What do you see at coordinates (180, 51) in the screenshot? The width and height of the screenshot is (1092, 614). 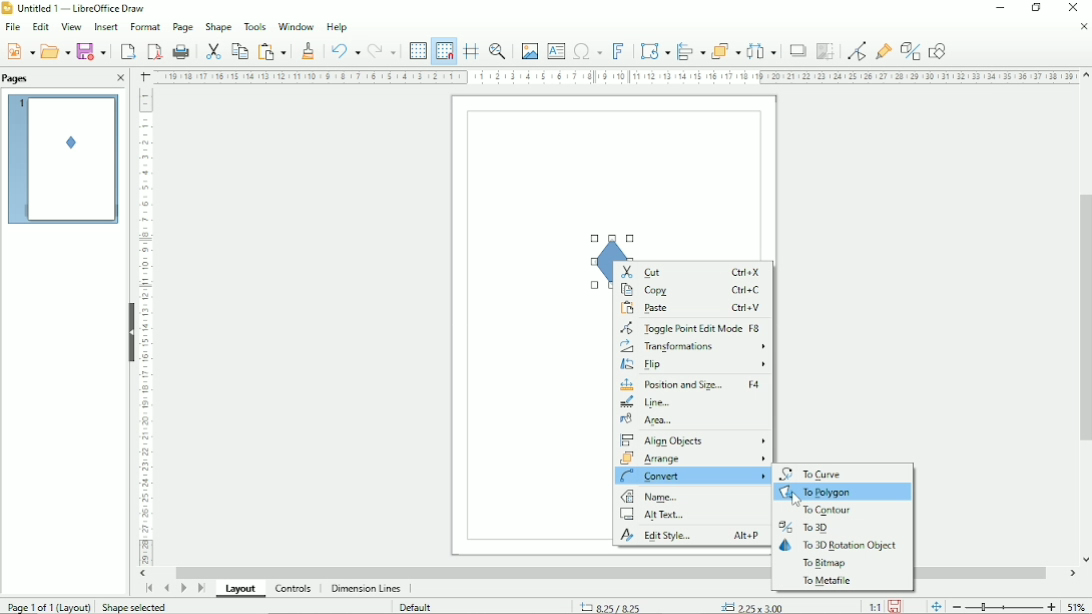 I see `Print` at bounding box center [180, 51].